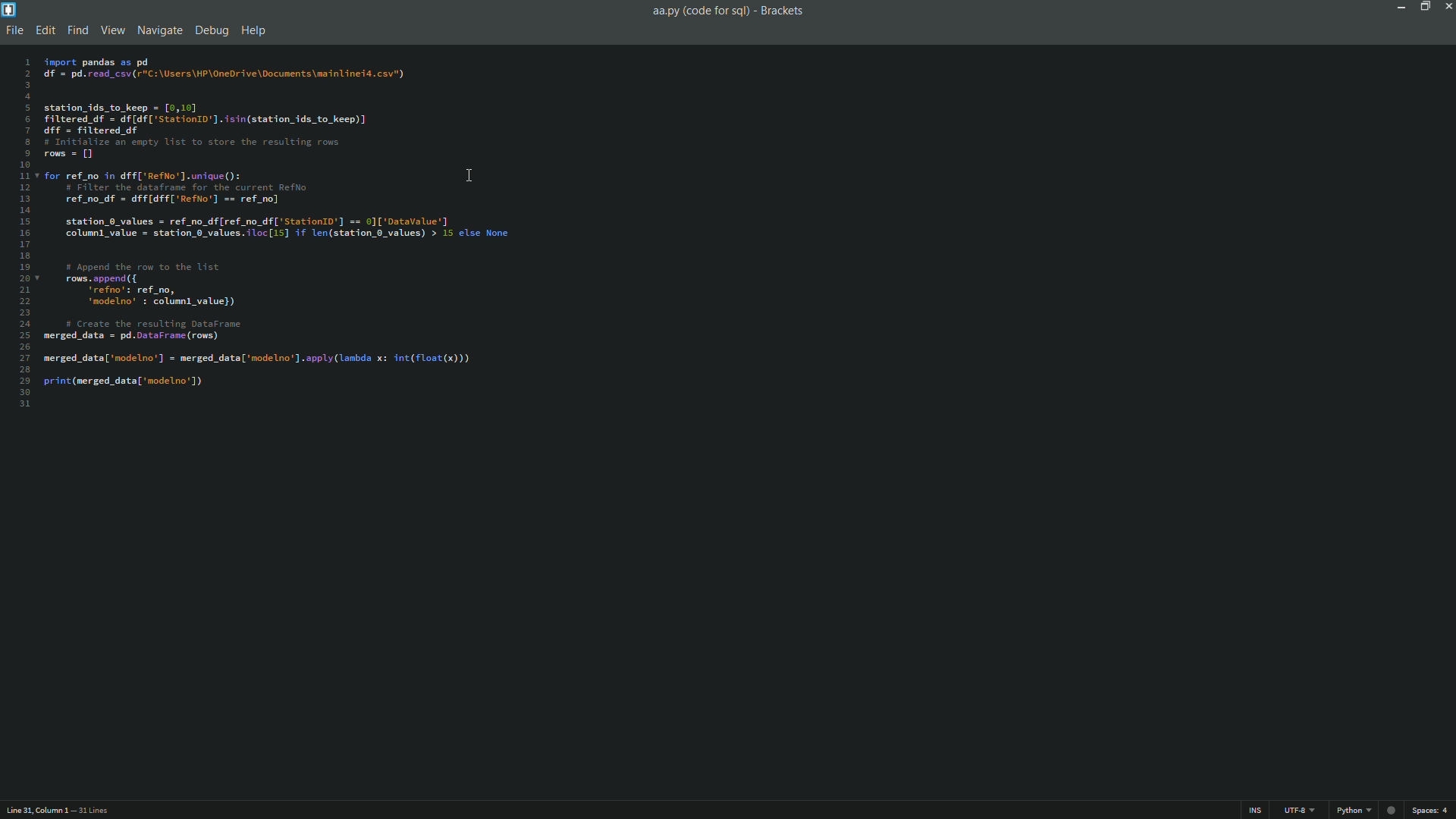  Describe the element at coordinates (466, 175) in the screenshot. I see `Text cursor` at that location.